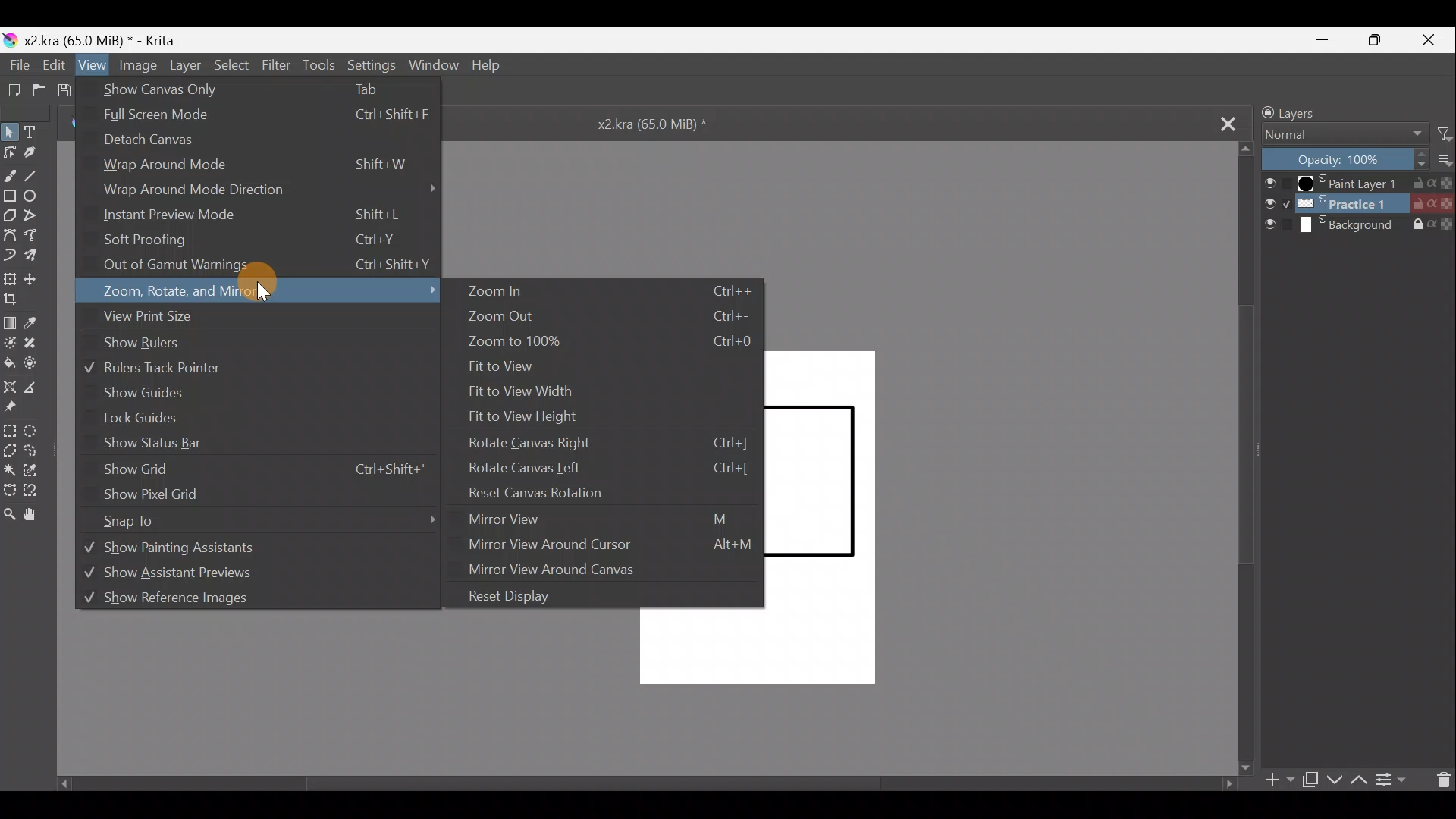 This screenshot has width=1456, height=819. I want to click on Move layer, so click(37, 277).